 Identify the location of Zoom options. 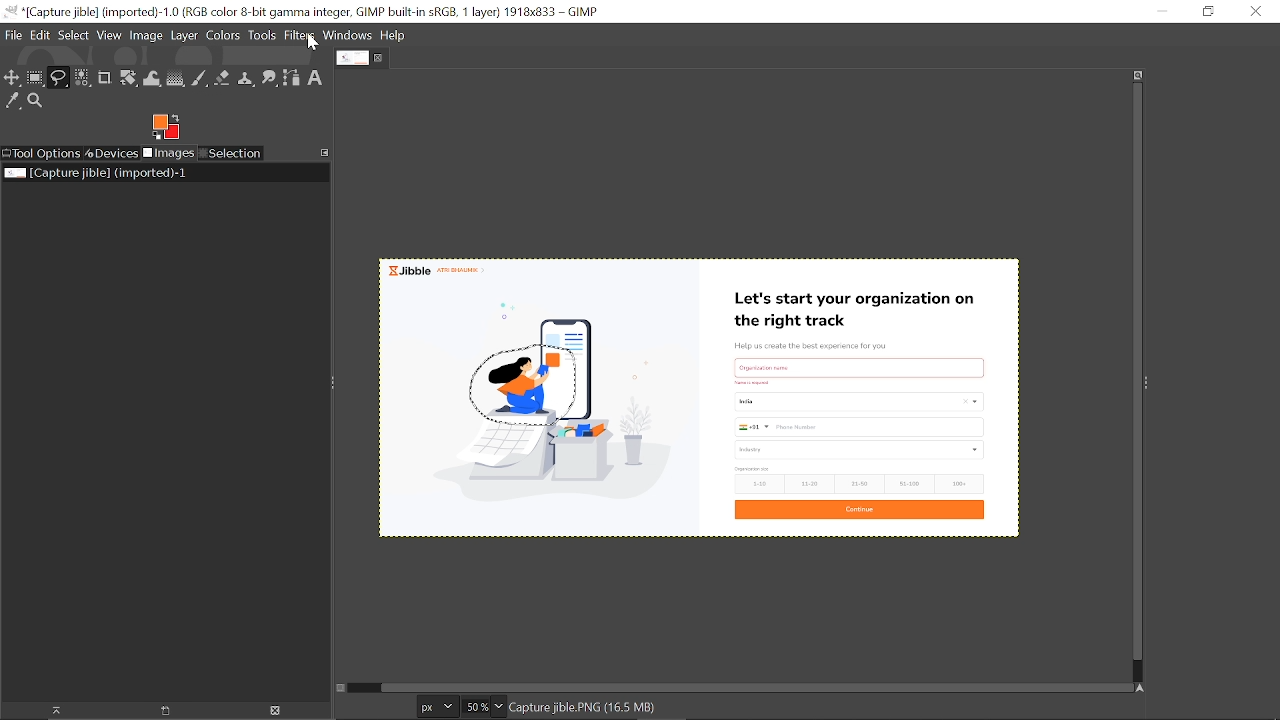
(499, 706).